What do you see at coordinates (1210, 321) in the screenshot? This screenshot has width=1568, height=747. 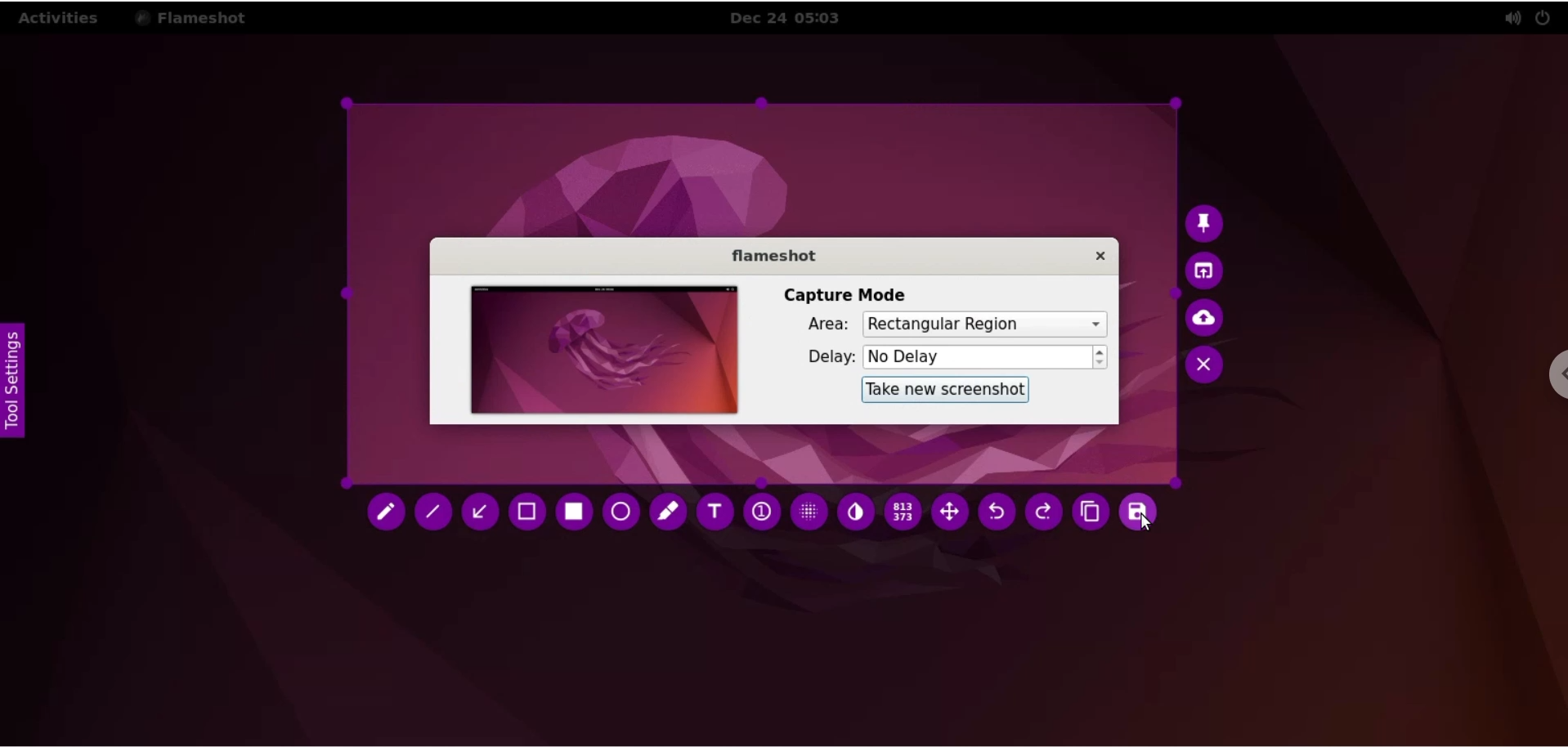 I see `upload` at bounding box center [1210, 321].